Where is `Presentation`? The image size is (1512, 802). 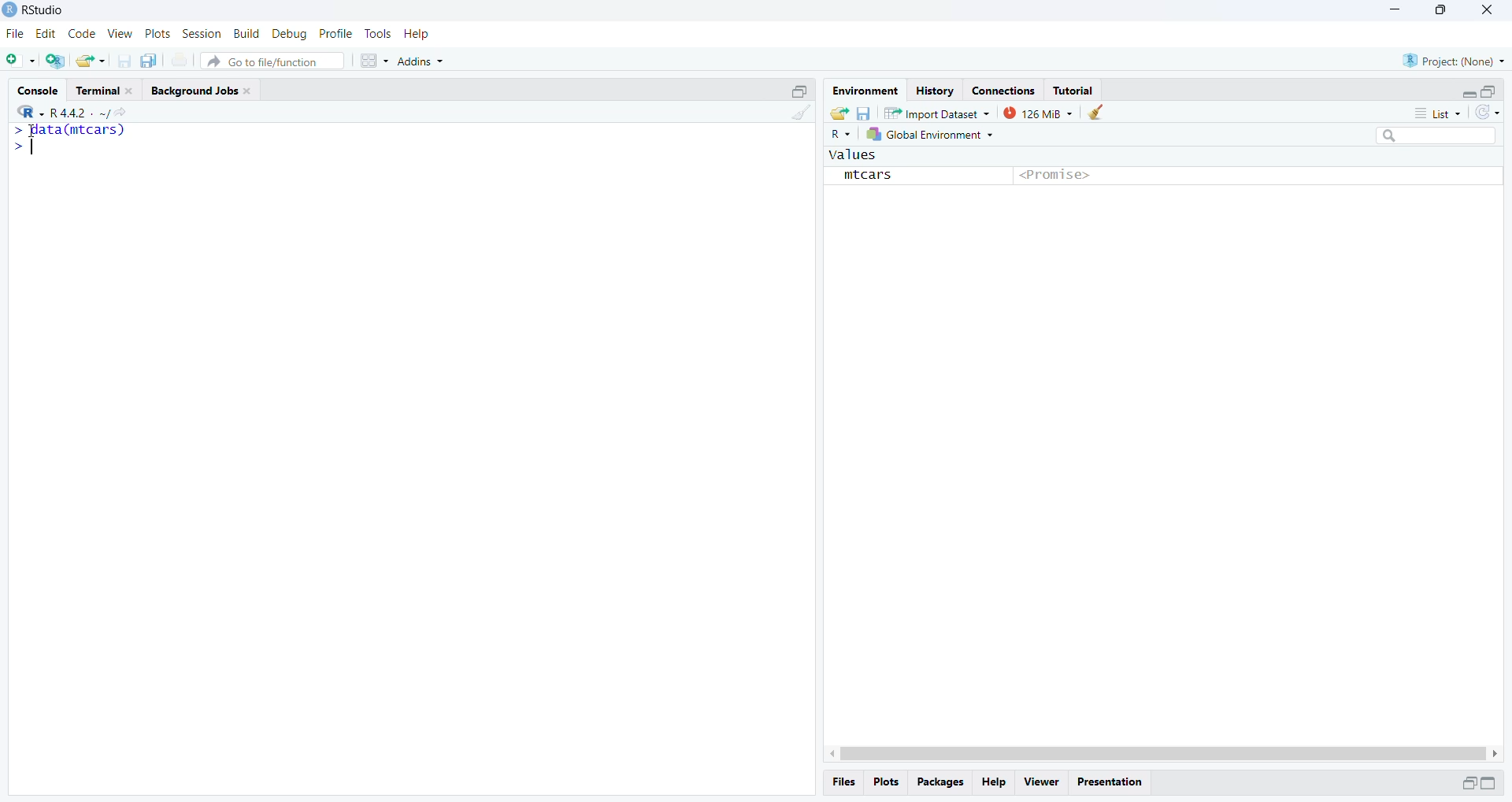 Presentation is located at coordinates (1109, 782).